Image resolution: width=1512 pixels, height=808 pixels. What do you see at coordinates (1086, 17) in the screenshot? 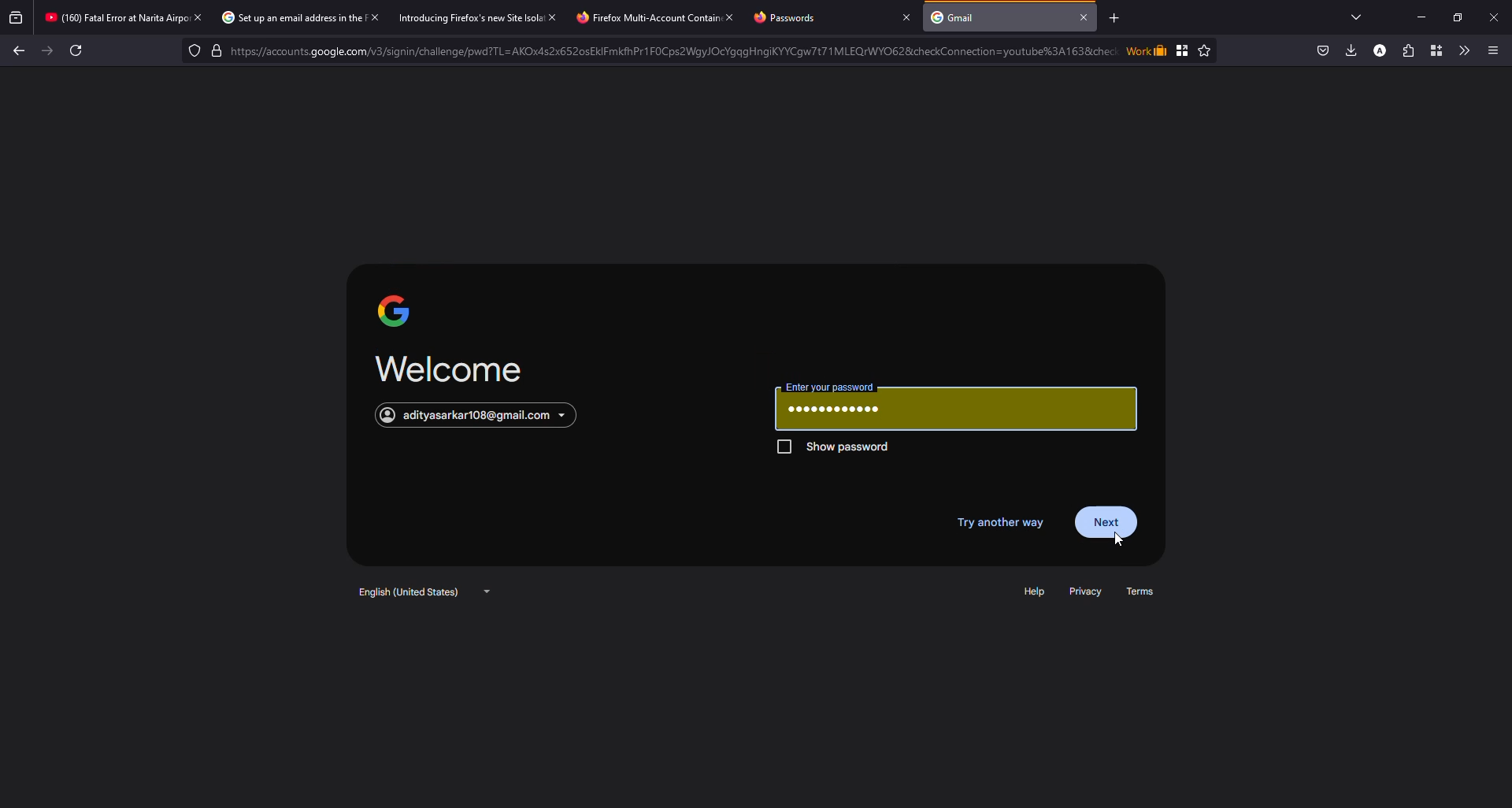
I see `close` at bounding box center [1086, 17].